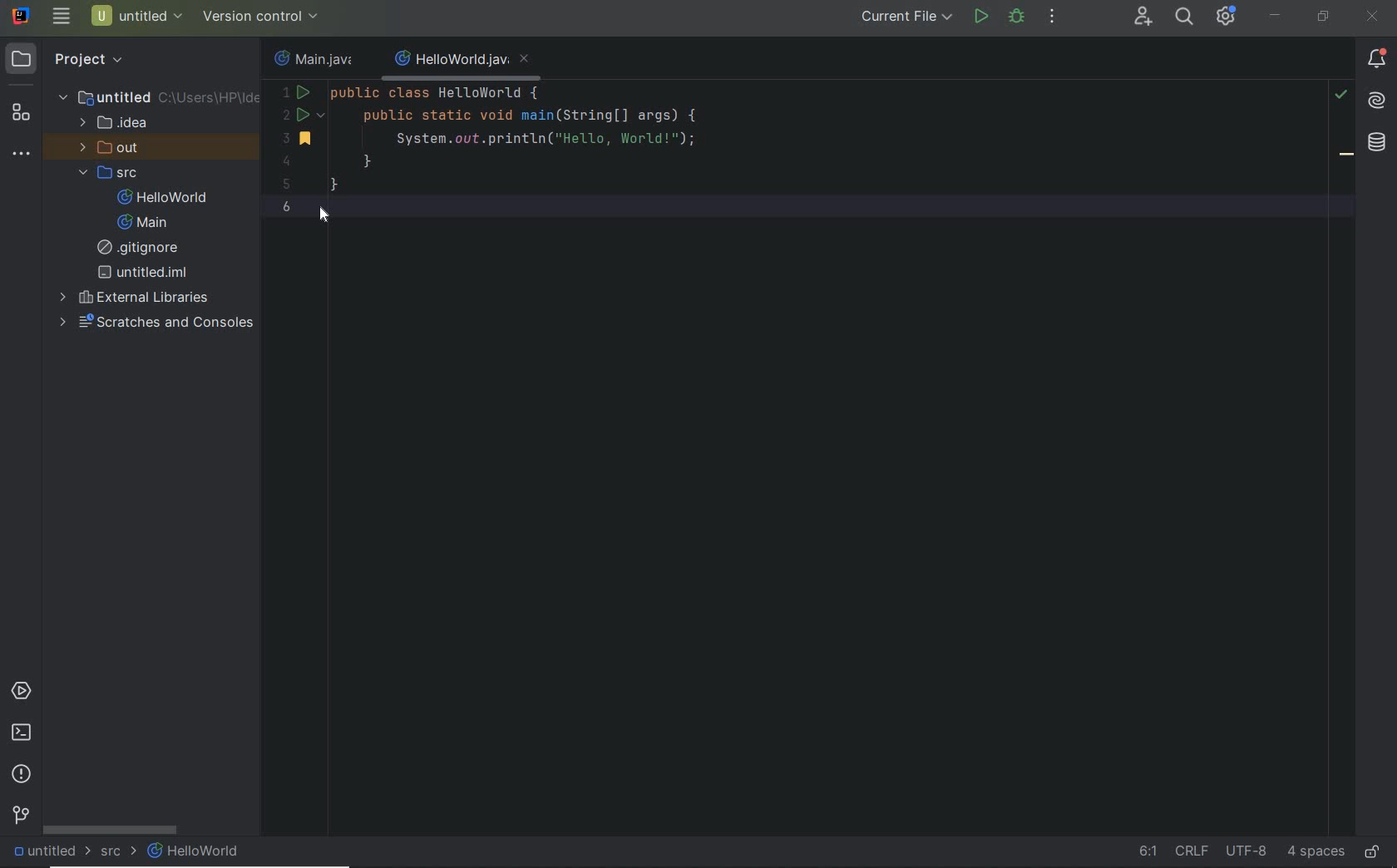  Describe the element at coordinates (1323, 18) in the screenshot. I see `restore down` at that location.